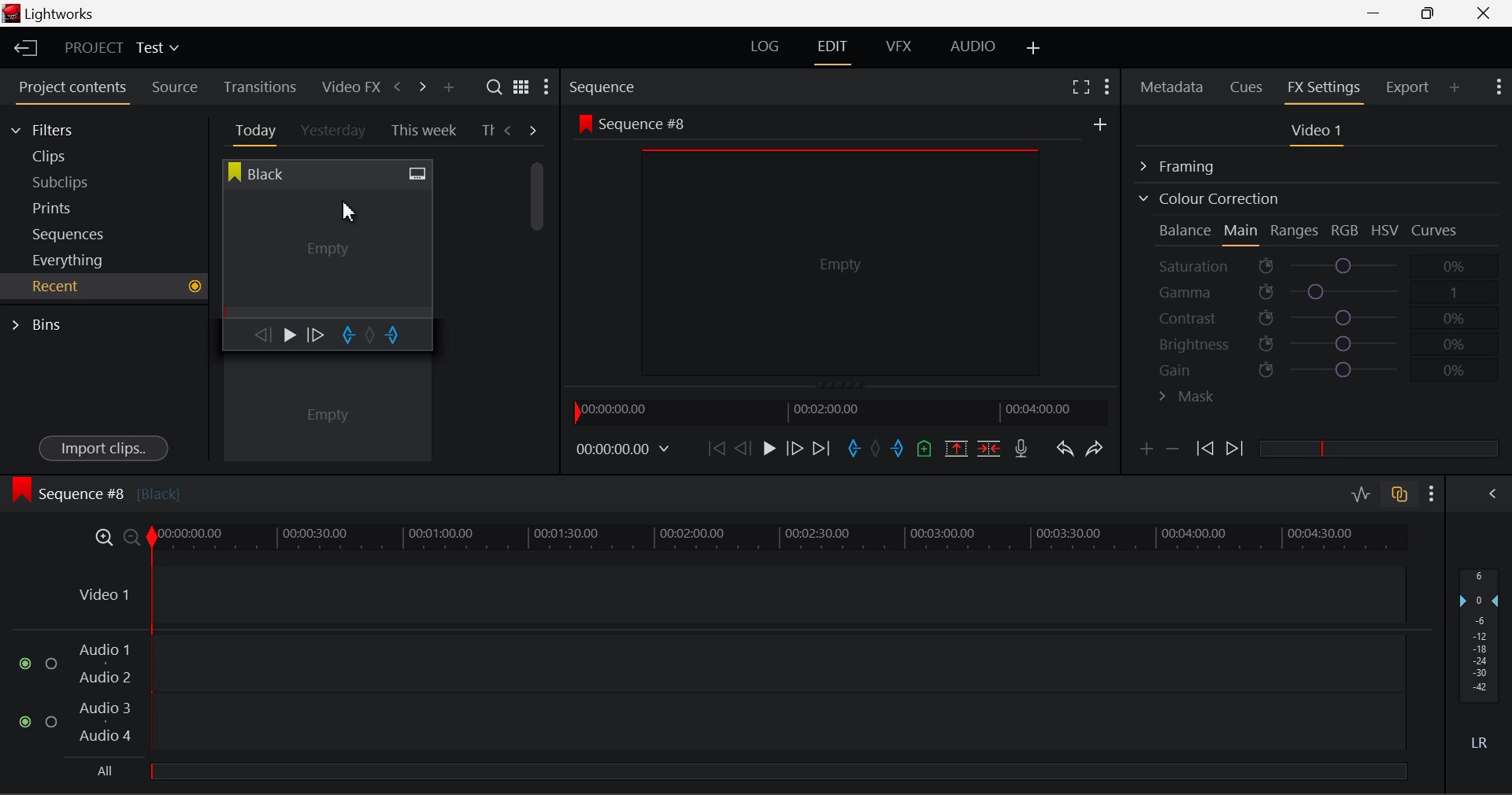  What do you see at coordinates (1080, 86) in the screenshot?
I see `Full Screen` at bounding box center [1080, 86].